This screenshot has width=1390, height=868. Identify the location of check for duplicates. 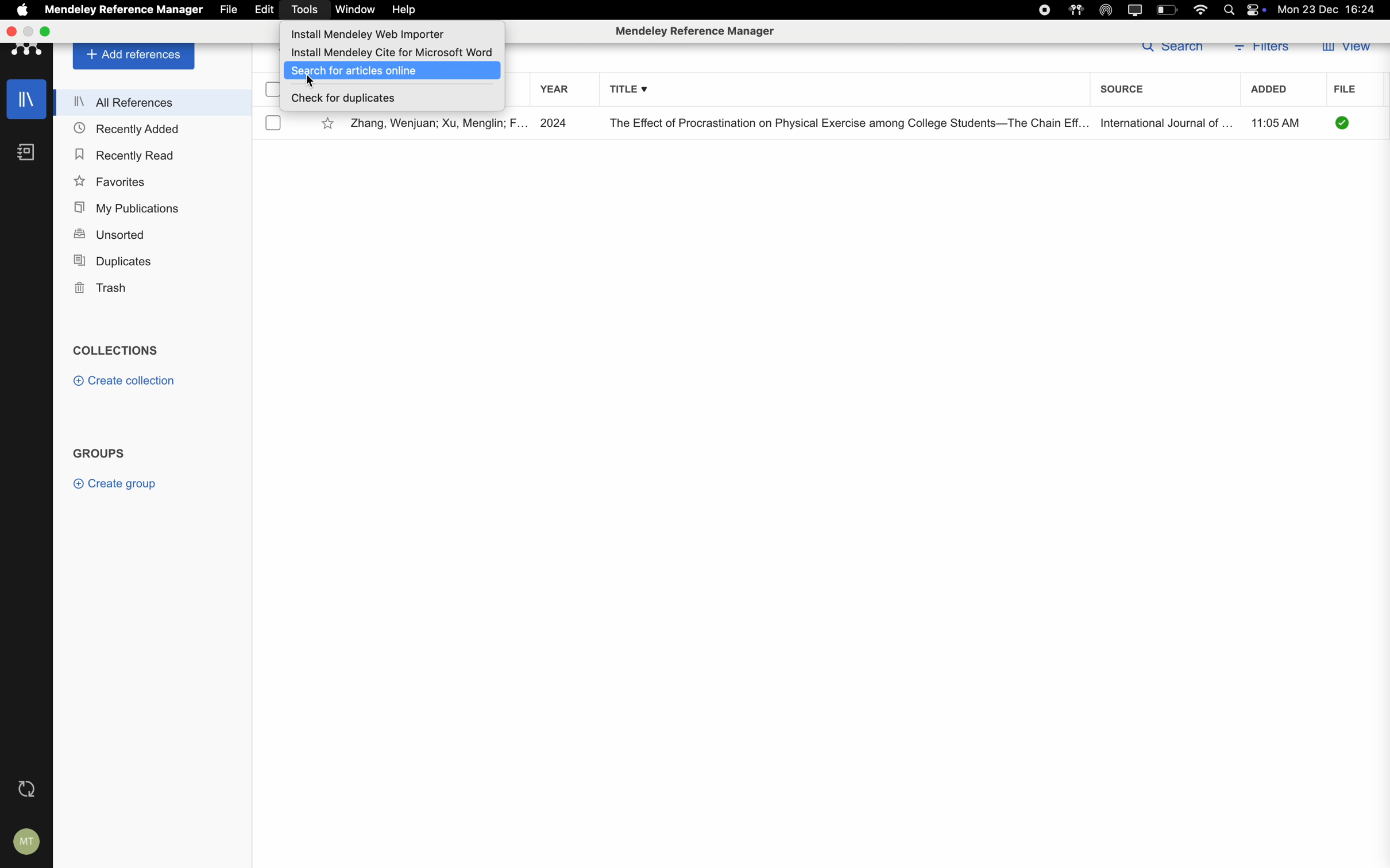
(343, 100).